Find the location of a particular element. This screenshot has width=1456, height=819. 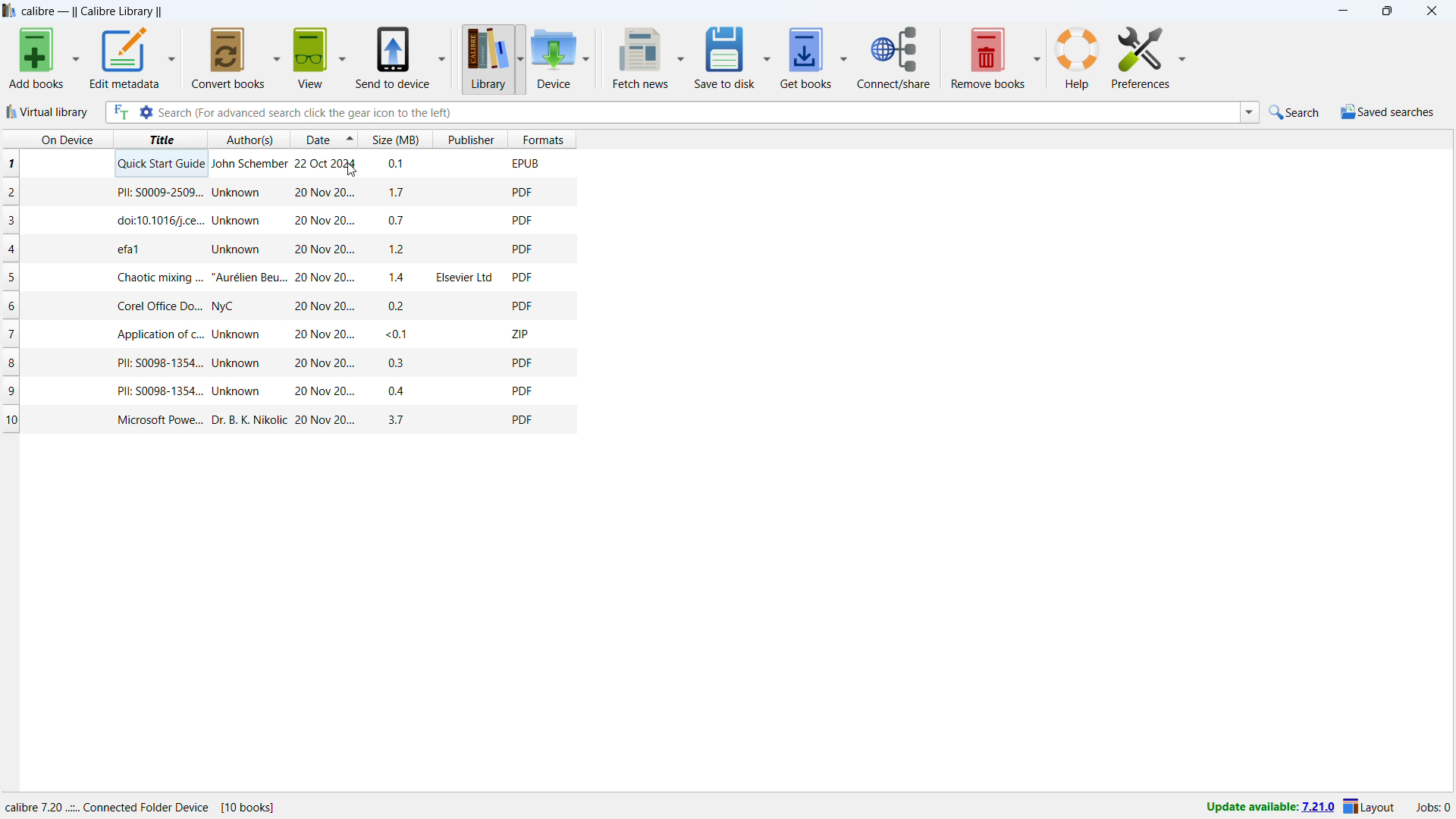

add books is located at coordinates (37, 58).